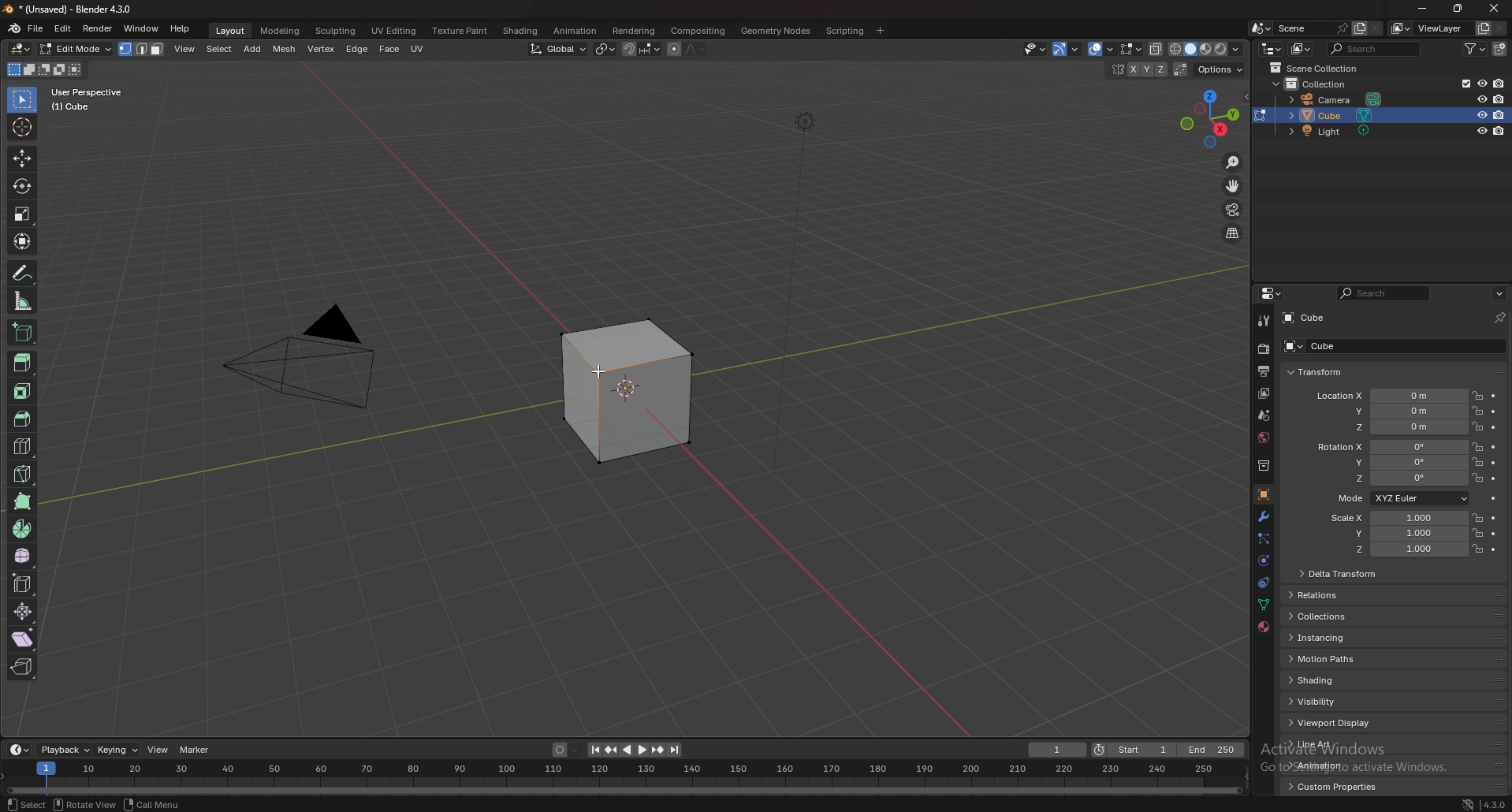 The height and width of the screenshot is (812, 1512). Describe the element at coordinates (847, 31) in the screenshot. I see `scripting` at that location.